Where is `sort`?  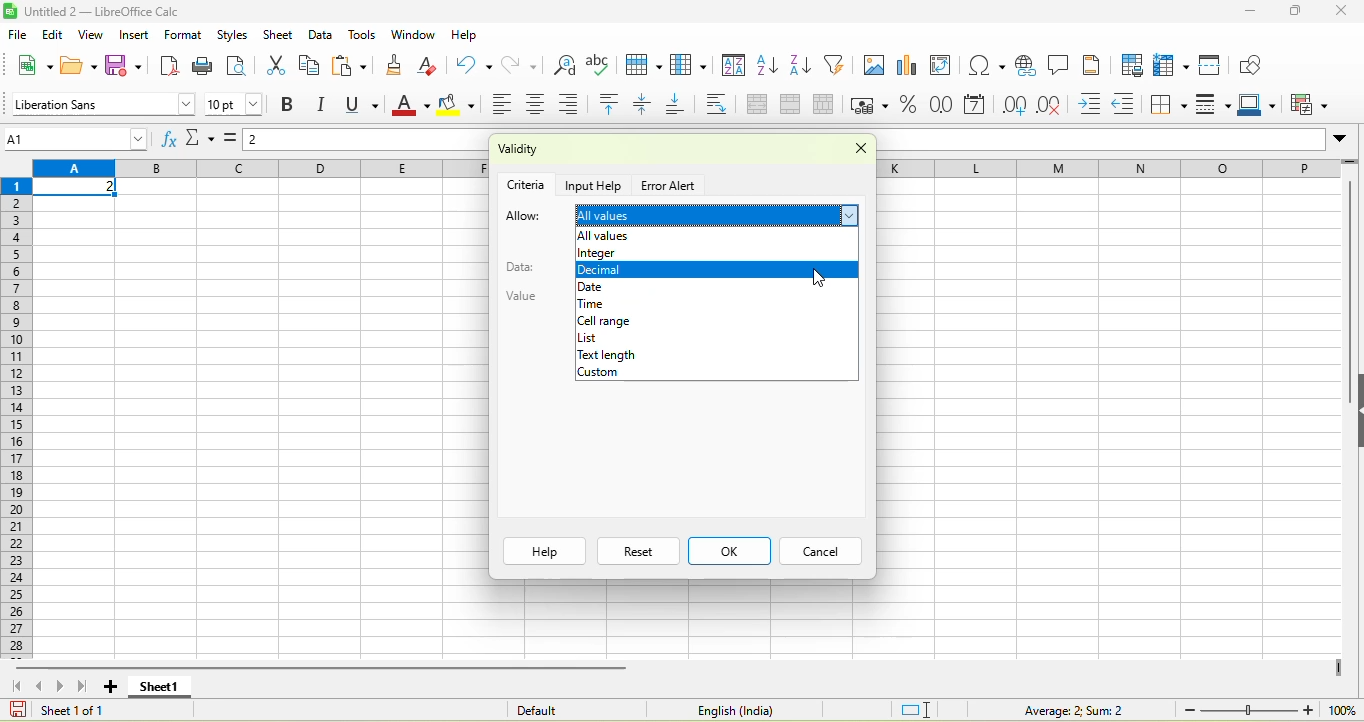
sort is located at coordinates (734, 68).